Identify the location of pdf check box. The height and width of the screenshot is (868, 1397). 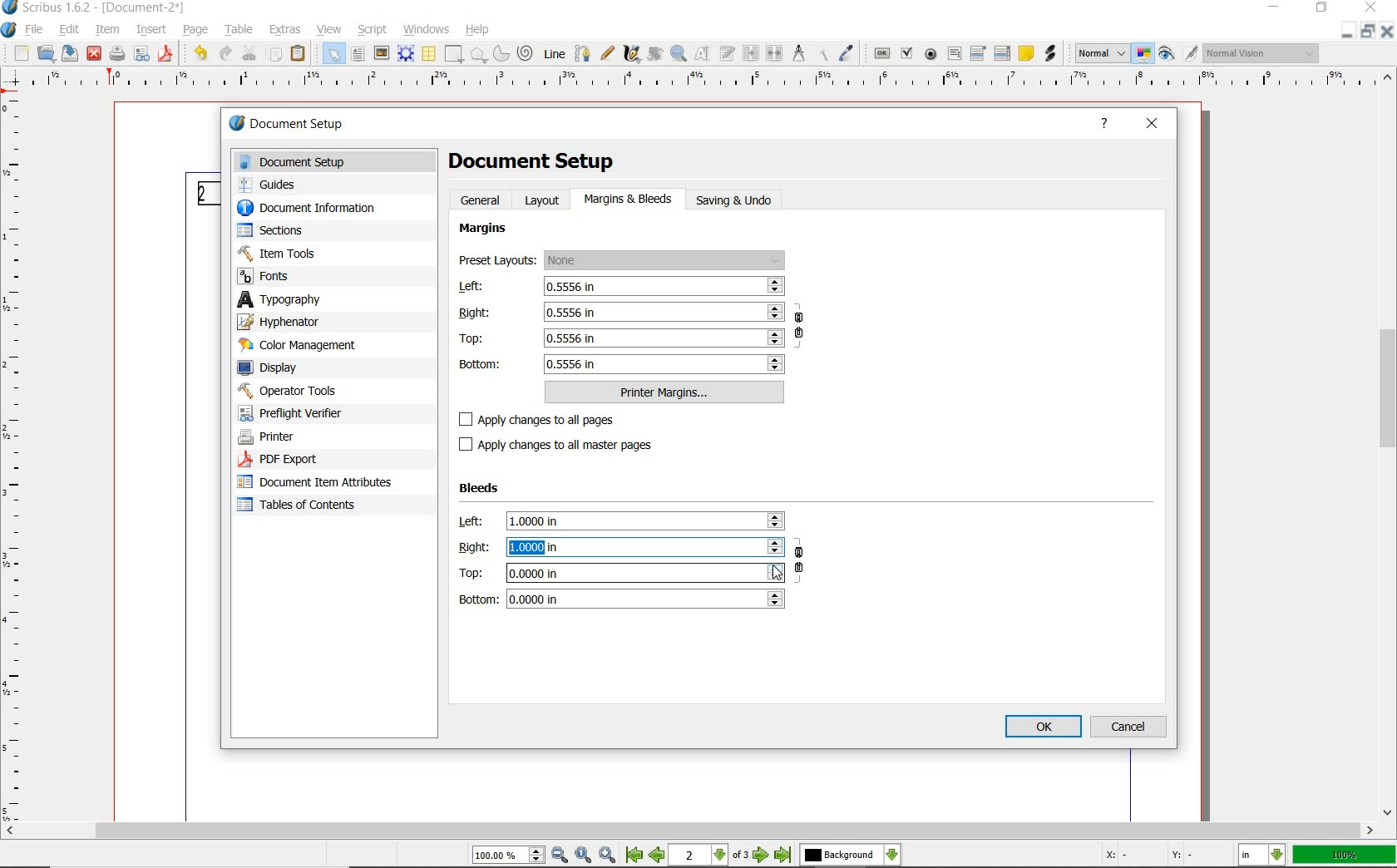
(908, 55).